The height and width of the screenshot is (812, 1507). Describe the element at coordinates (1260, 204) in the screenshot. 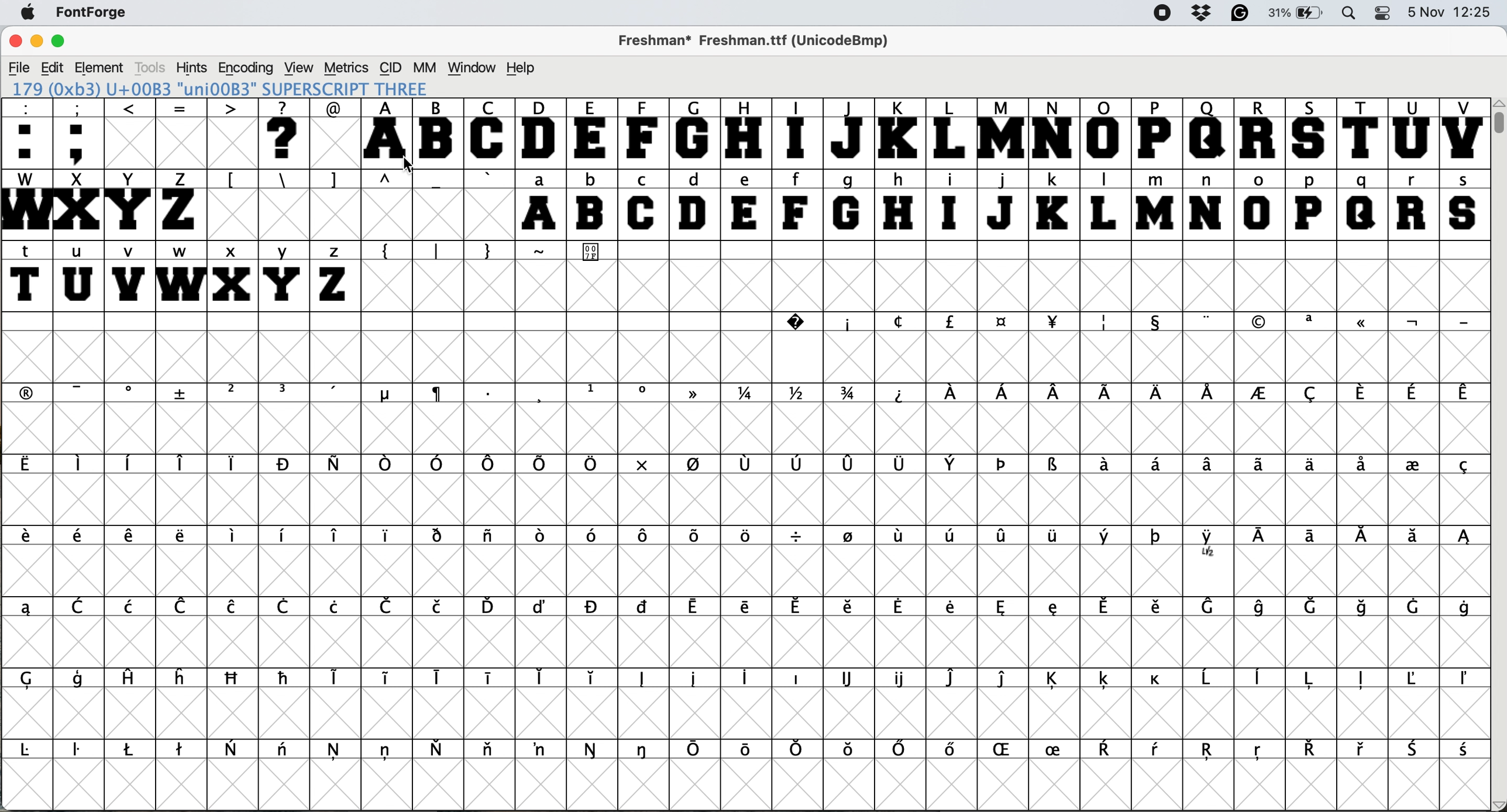

I see `o` at that location.